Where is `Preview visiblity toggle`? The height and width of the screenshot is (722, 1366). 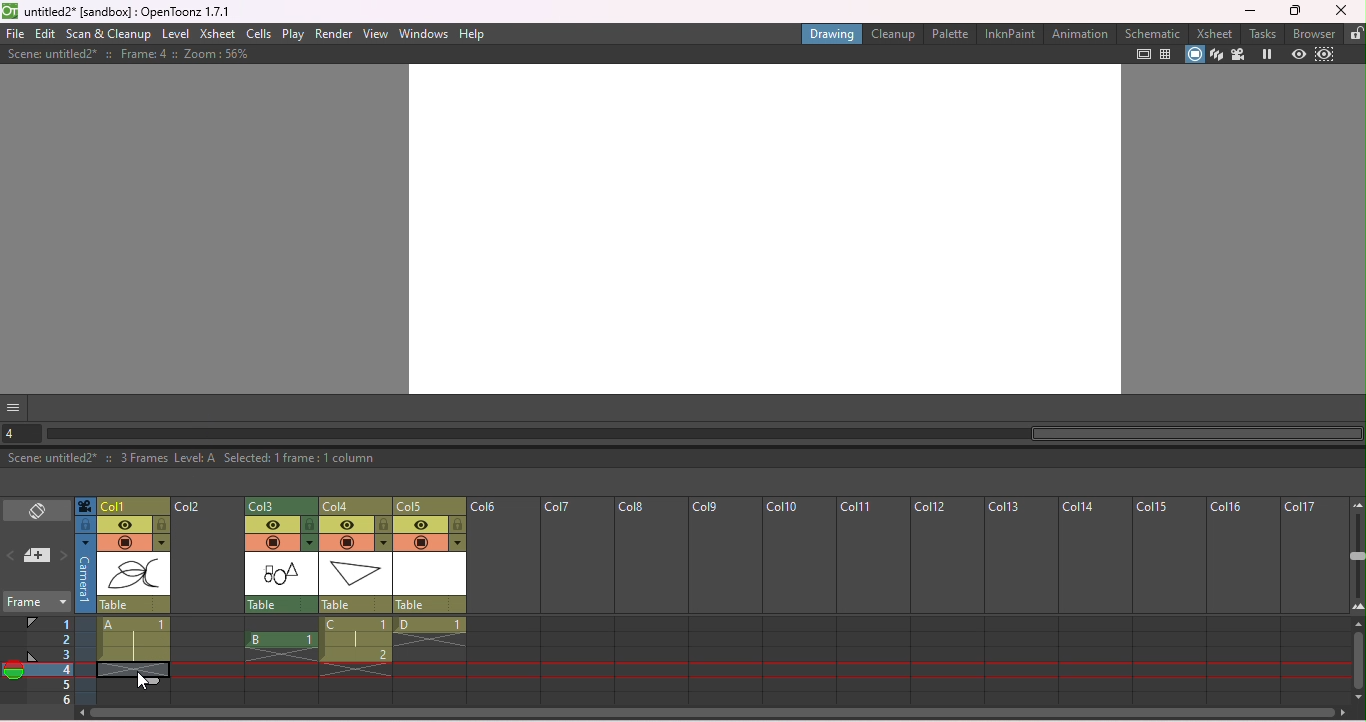
Preview visiblity toggle is located at coordinates (347, 525).